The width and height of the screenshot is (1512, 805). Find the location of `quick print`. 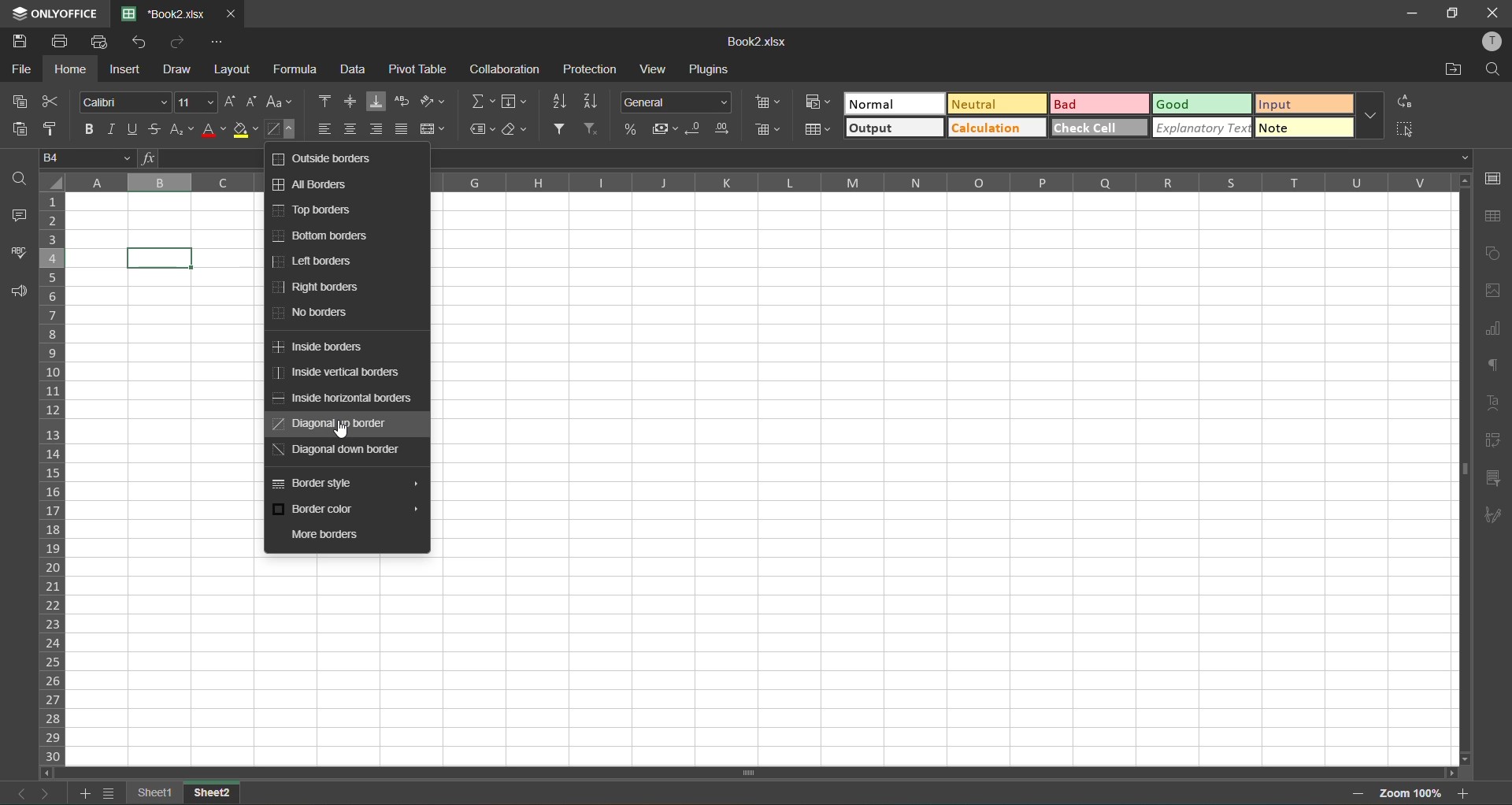

quick print is located at coordinates (103, 41).